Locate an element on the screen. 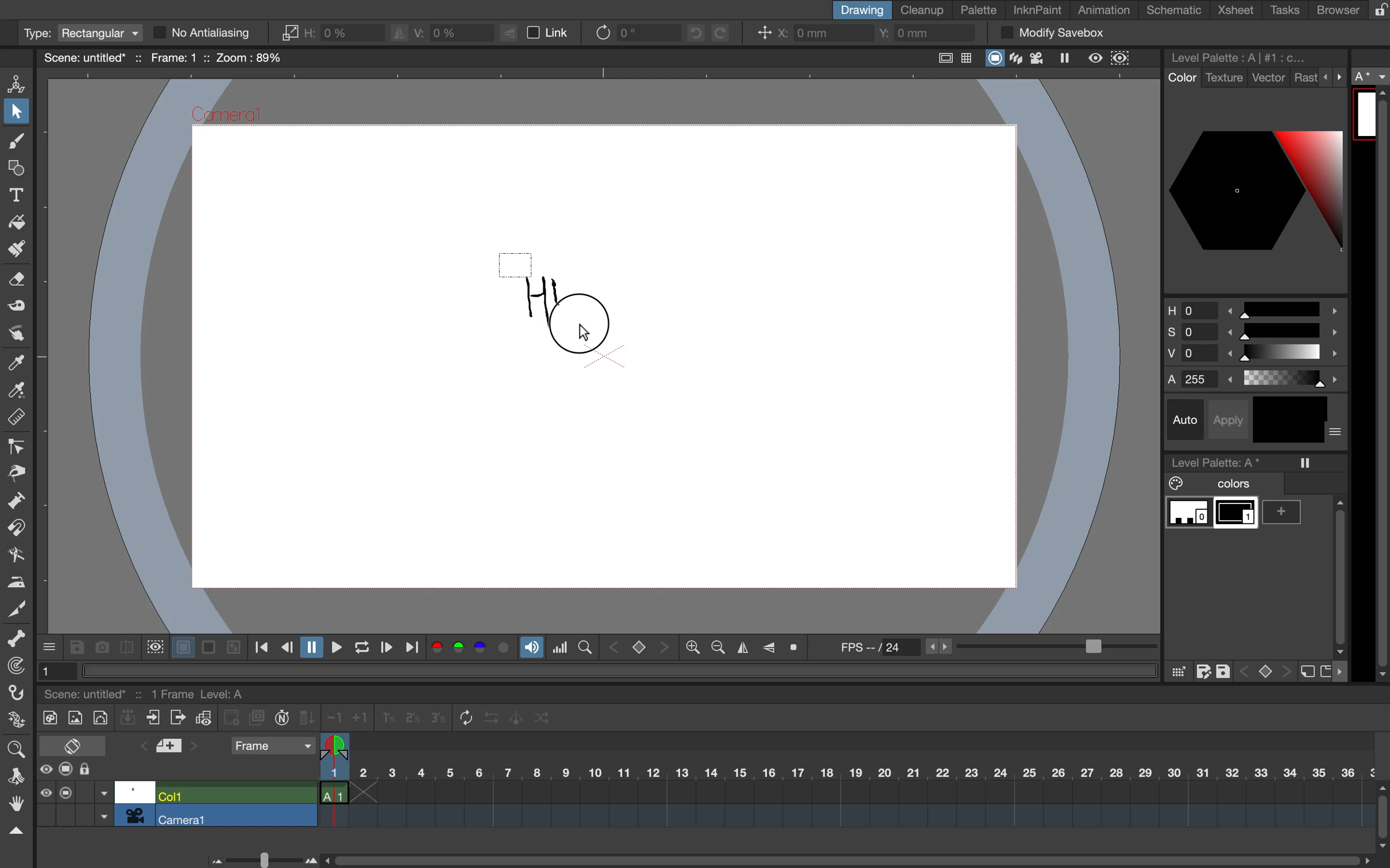 The height and width of the screenshot is (868, 1390). duplicate drawing is located at coordinates (257, 718).